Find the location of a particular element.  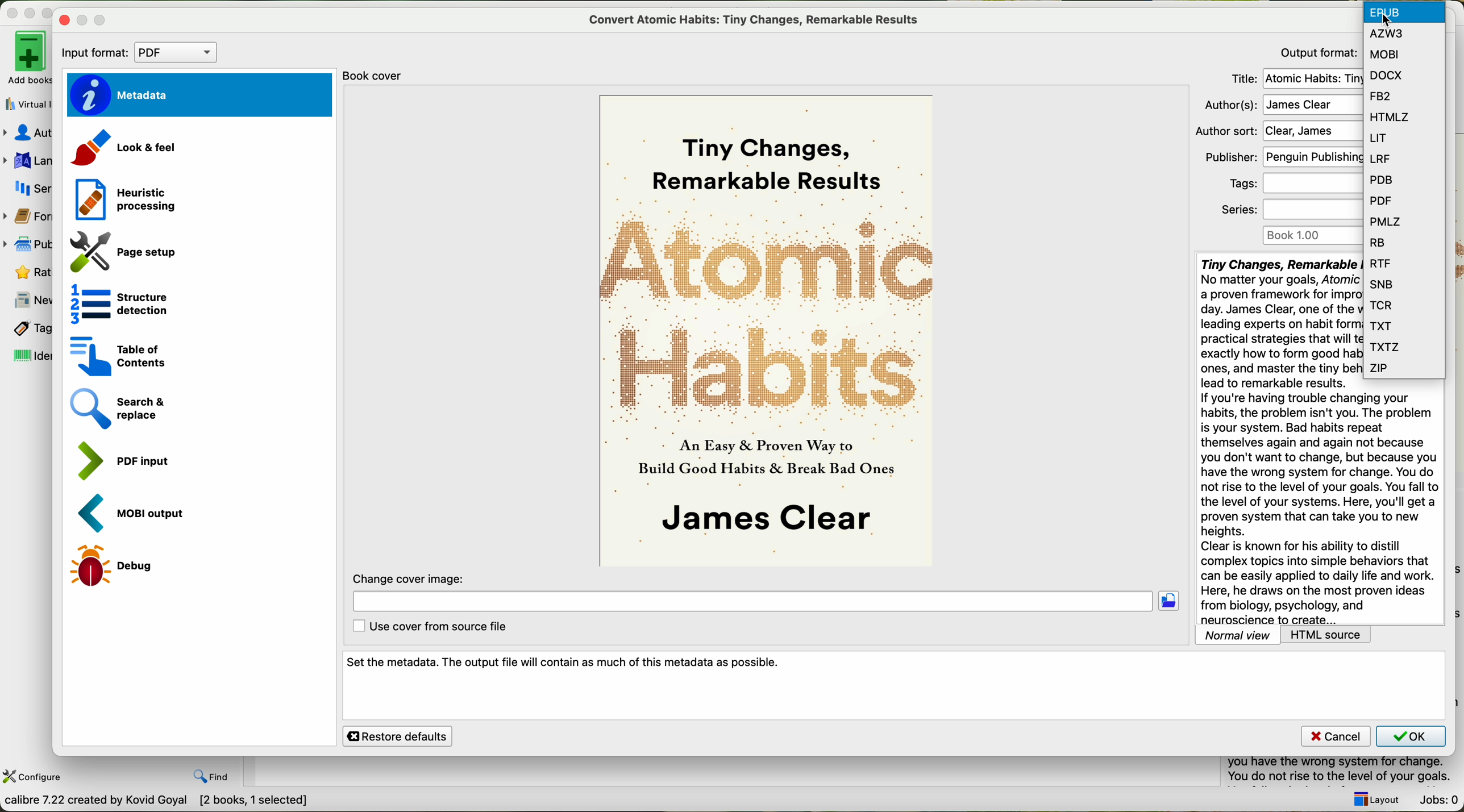

PMLZ is located at coordinates (1405, 221).